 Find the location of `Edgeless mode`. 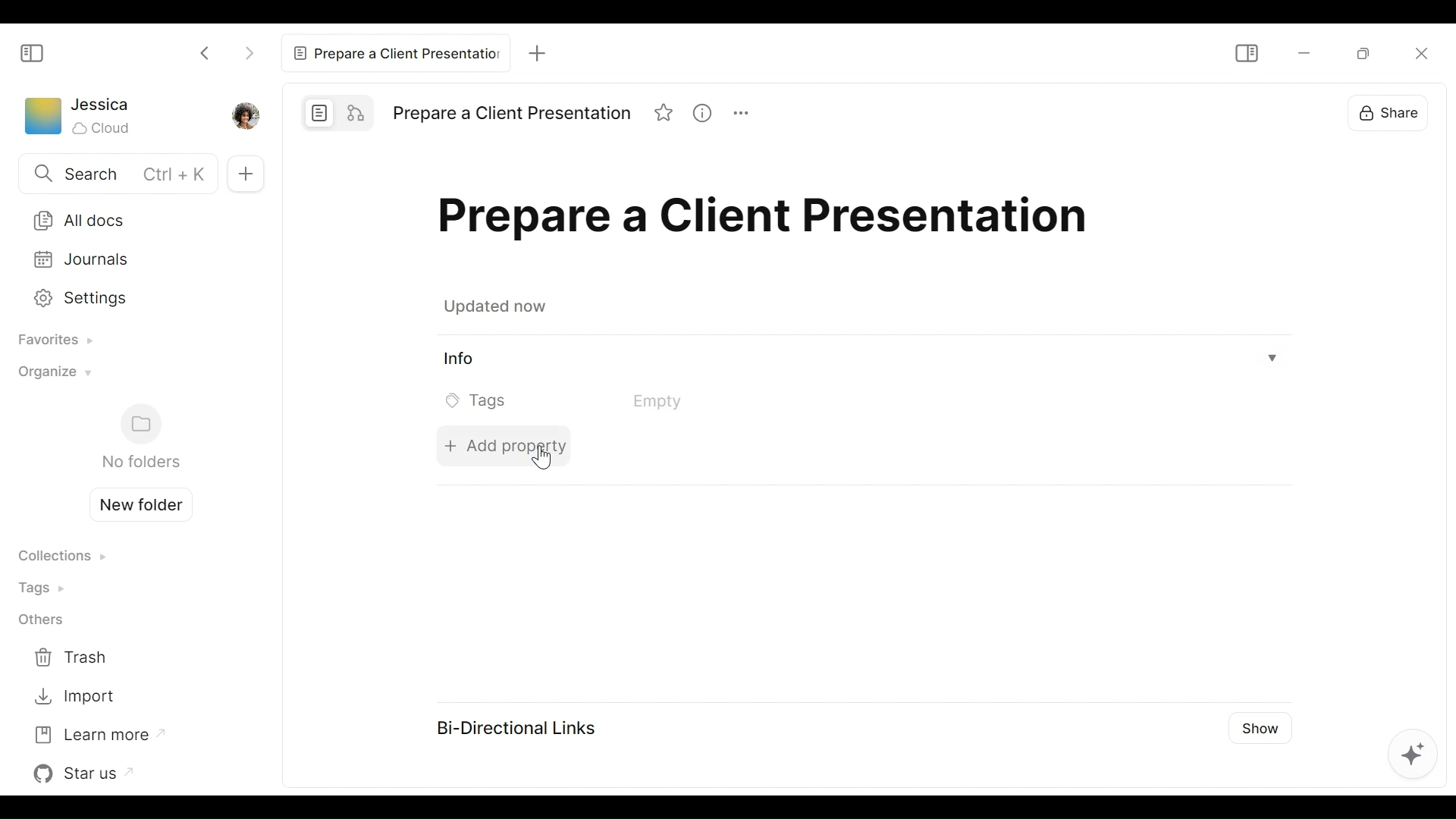

Edgeless mode is located at coordinates (358, 111).